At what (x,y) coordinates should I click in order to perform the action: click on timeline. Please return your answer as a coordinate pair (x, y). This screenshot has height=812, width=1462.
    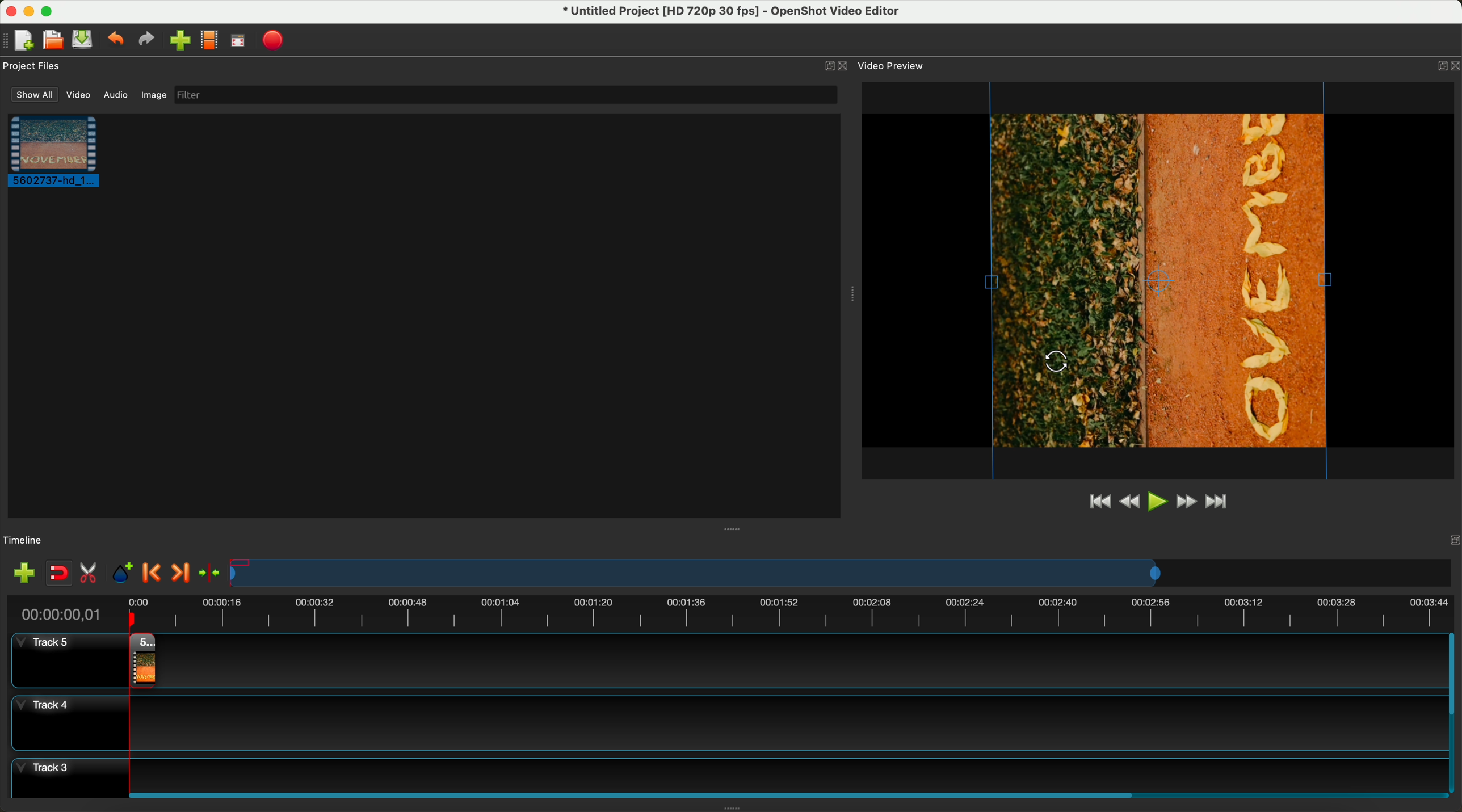
    Looking at the image, I should click on (734, 613).